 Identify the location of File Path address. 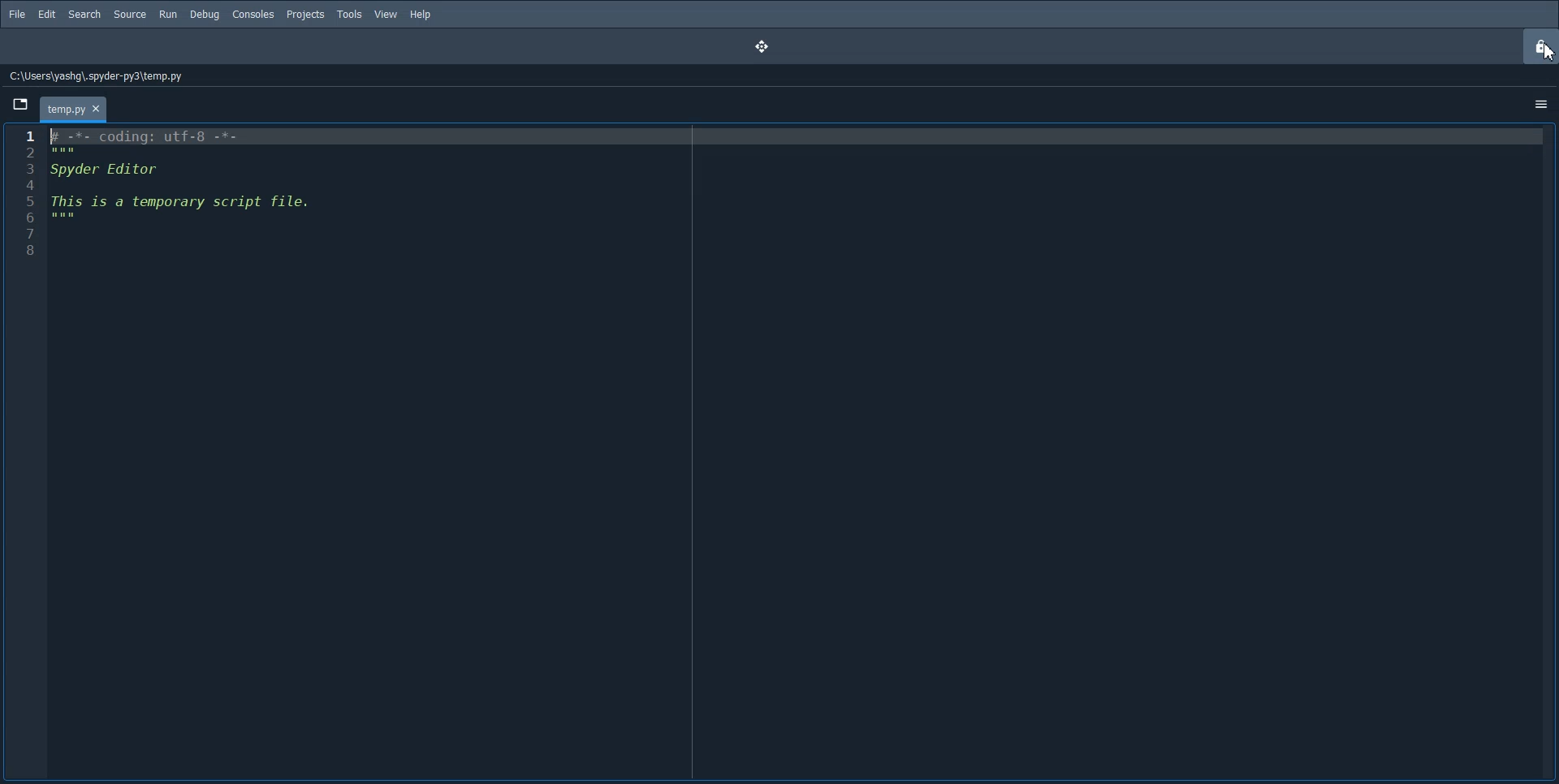
(97, 75).